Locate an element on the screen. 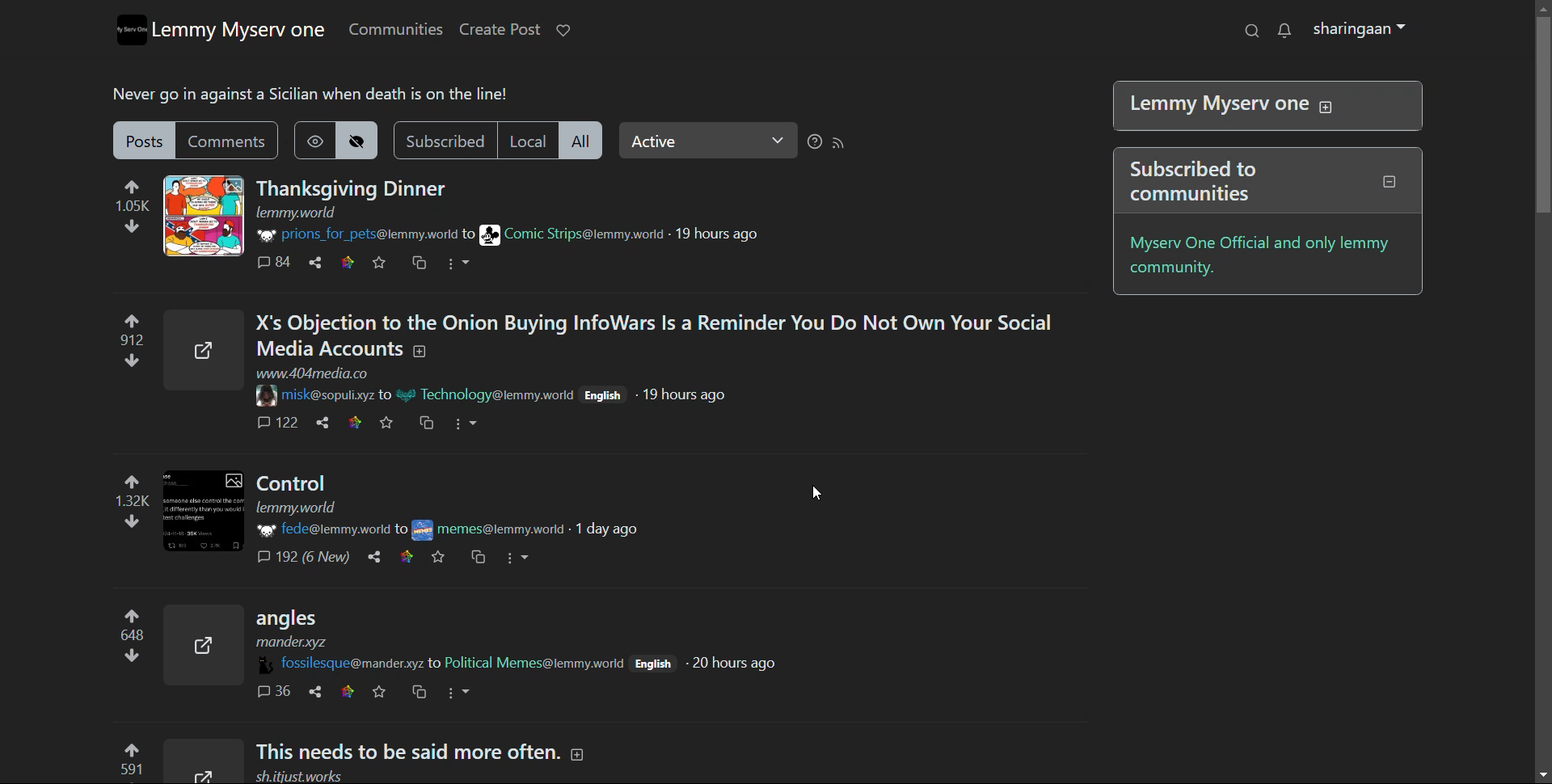  url is located at coordinates (299, 776).